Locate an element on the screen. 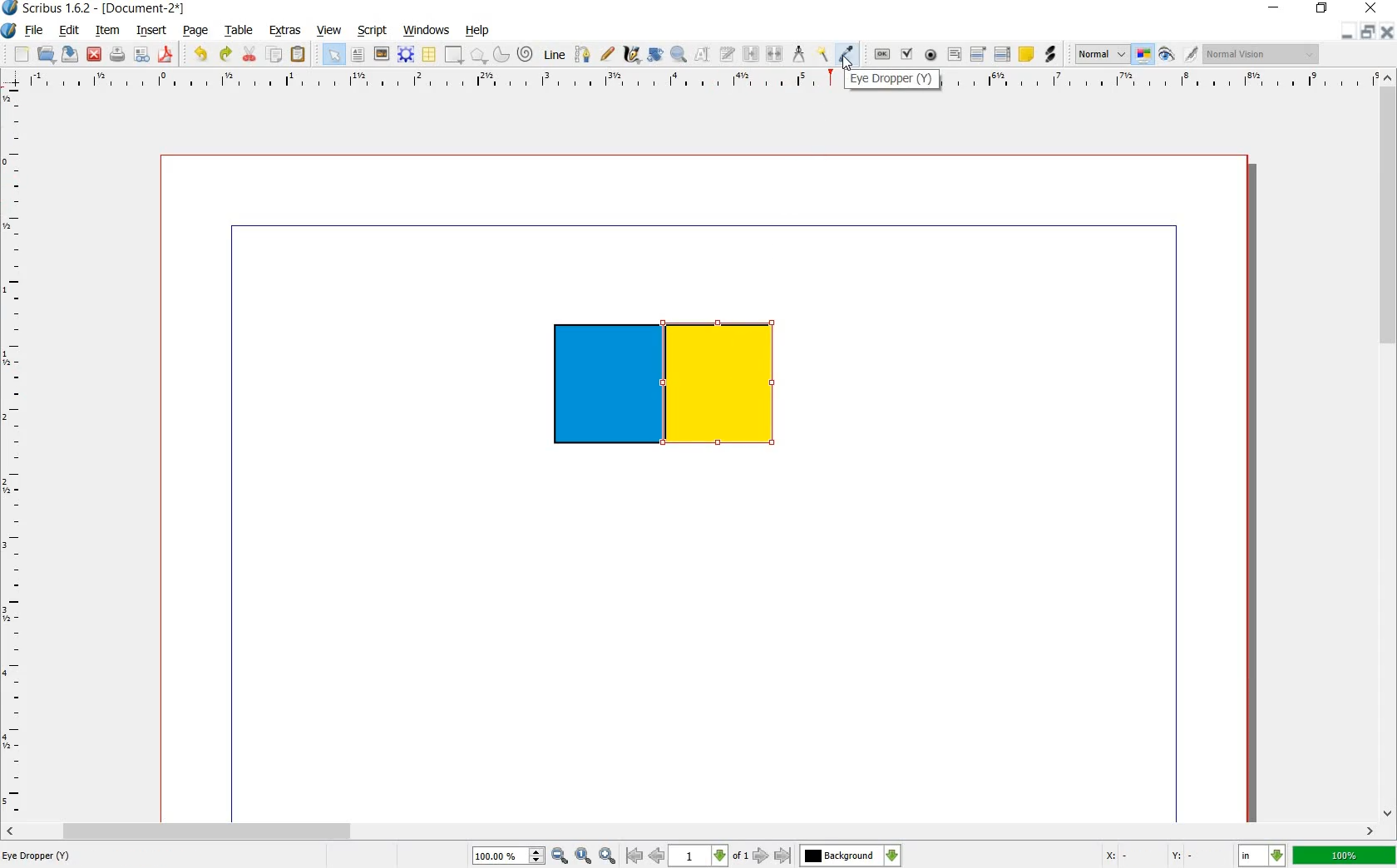  1 of 1 is located at coordinates (710, 856).